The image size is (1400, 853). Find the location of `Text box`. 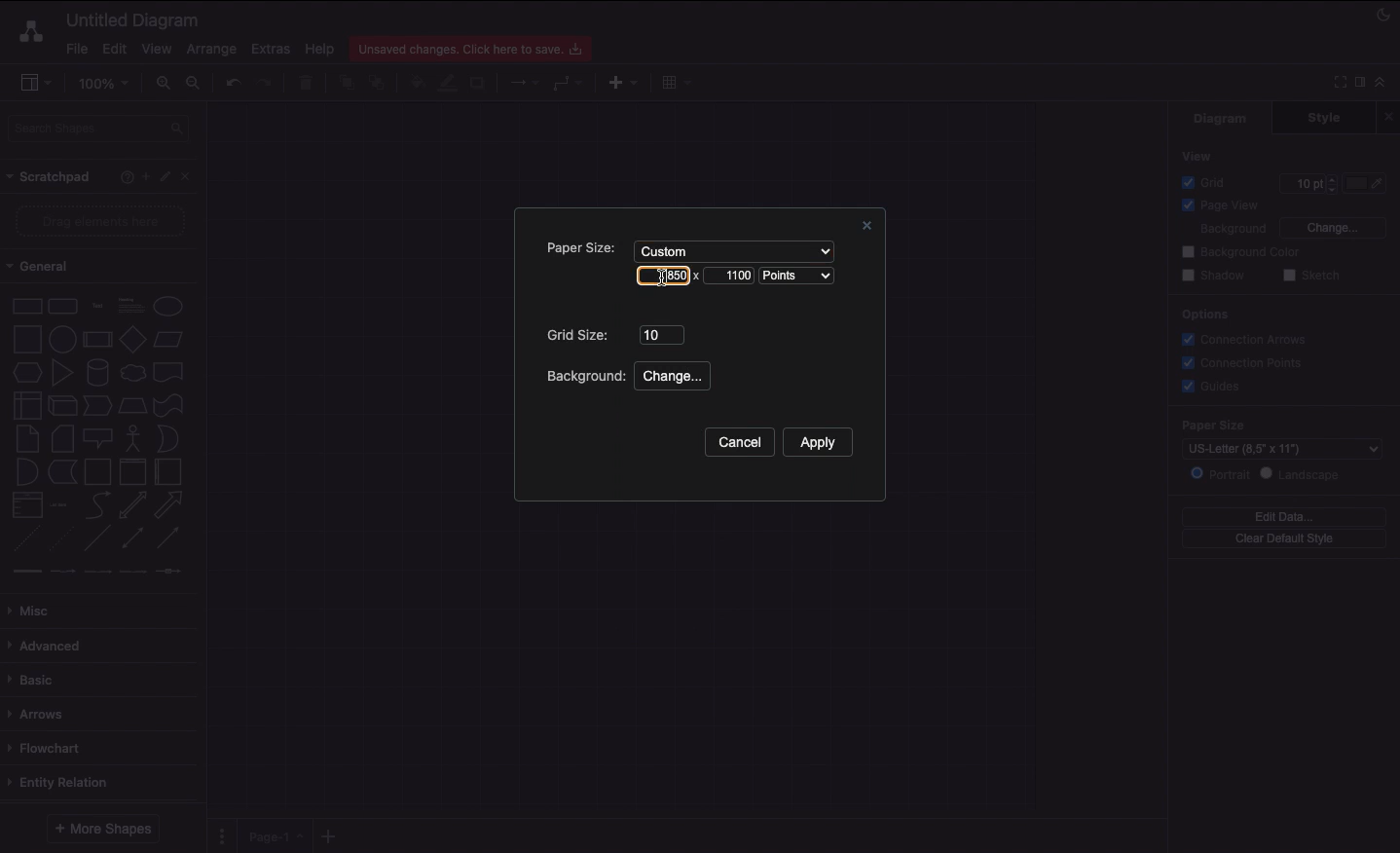

Text box is located at coordinates (129, 306).